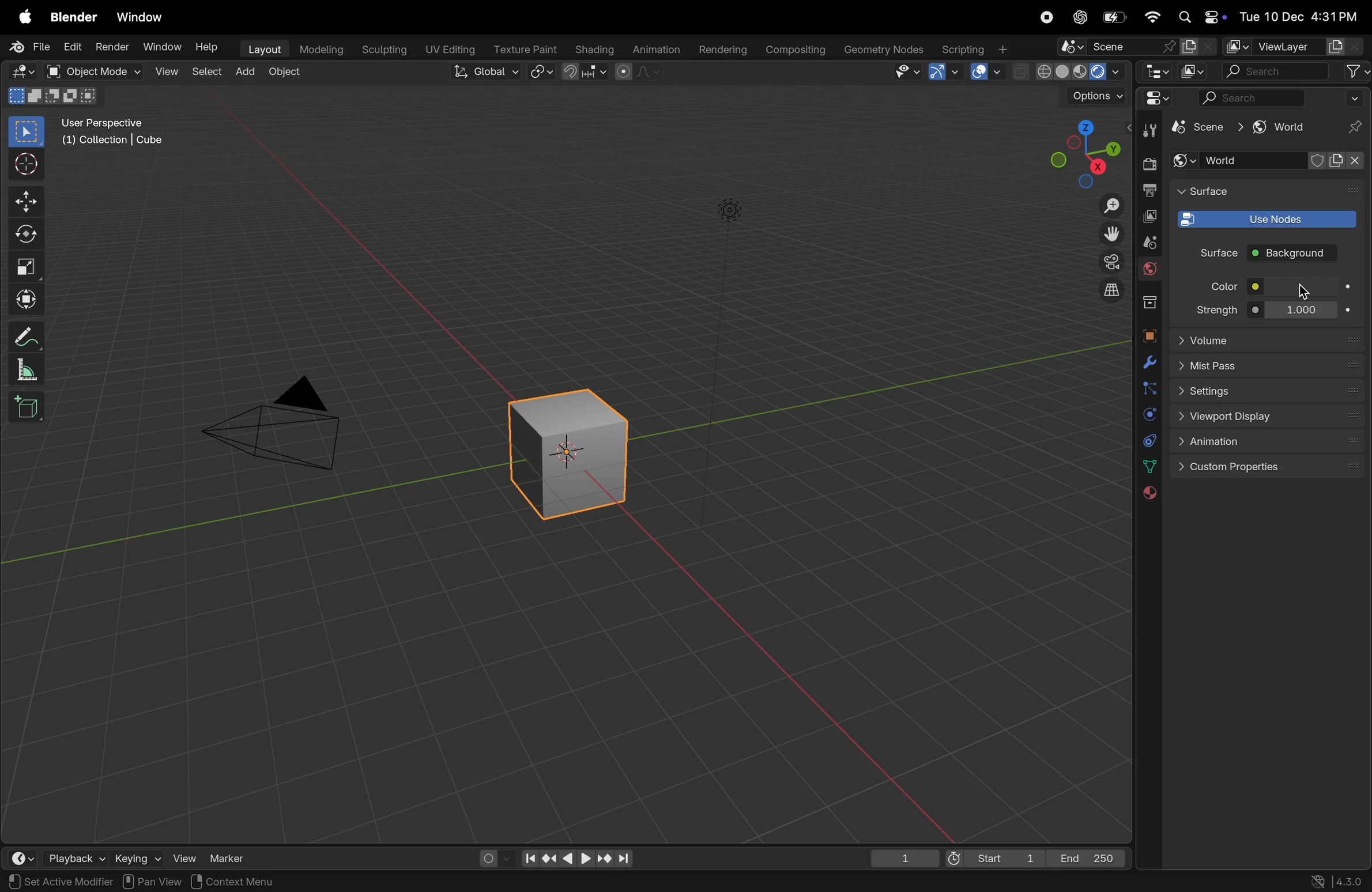 The width and height of the screenshot is (1372, 892). What do you see at coordinates (1296, 71) in the screenshot?
I see `search` at bounding box center [1296, 71].